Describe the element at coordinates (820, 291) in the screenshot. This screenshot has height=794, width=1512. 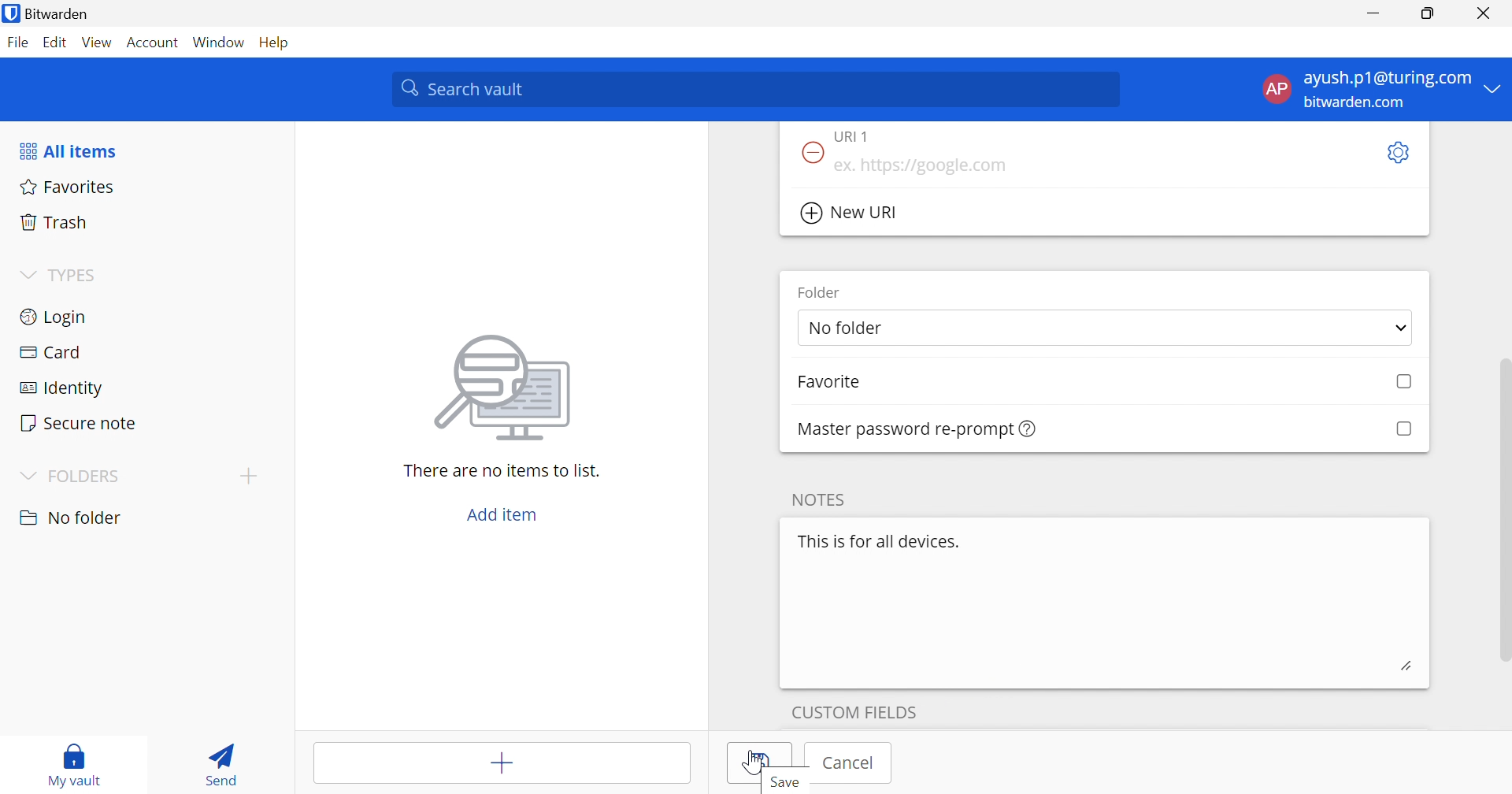
I see `Folder` at that location.